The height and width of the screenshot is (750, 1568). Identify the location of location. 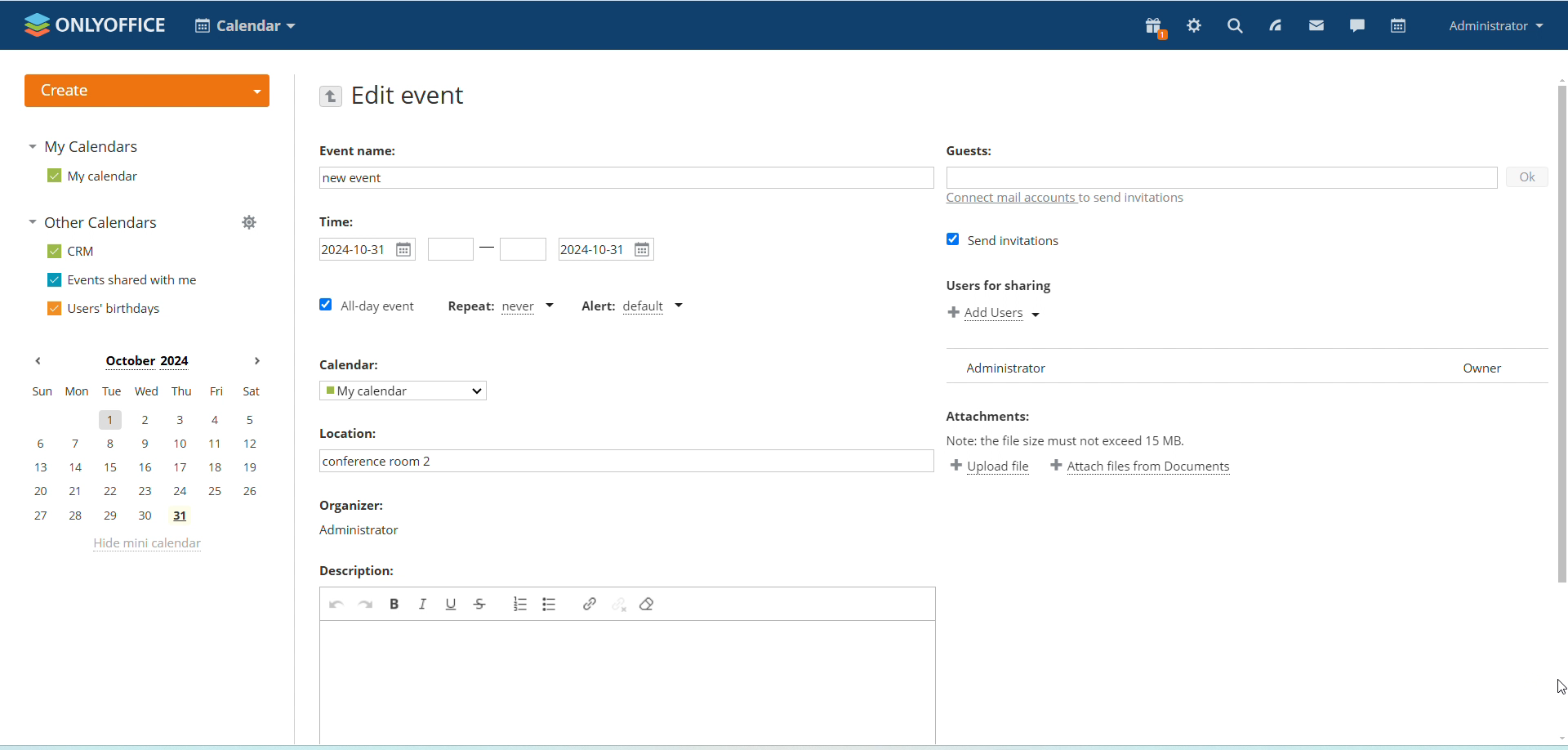
(347, 434).